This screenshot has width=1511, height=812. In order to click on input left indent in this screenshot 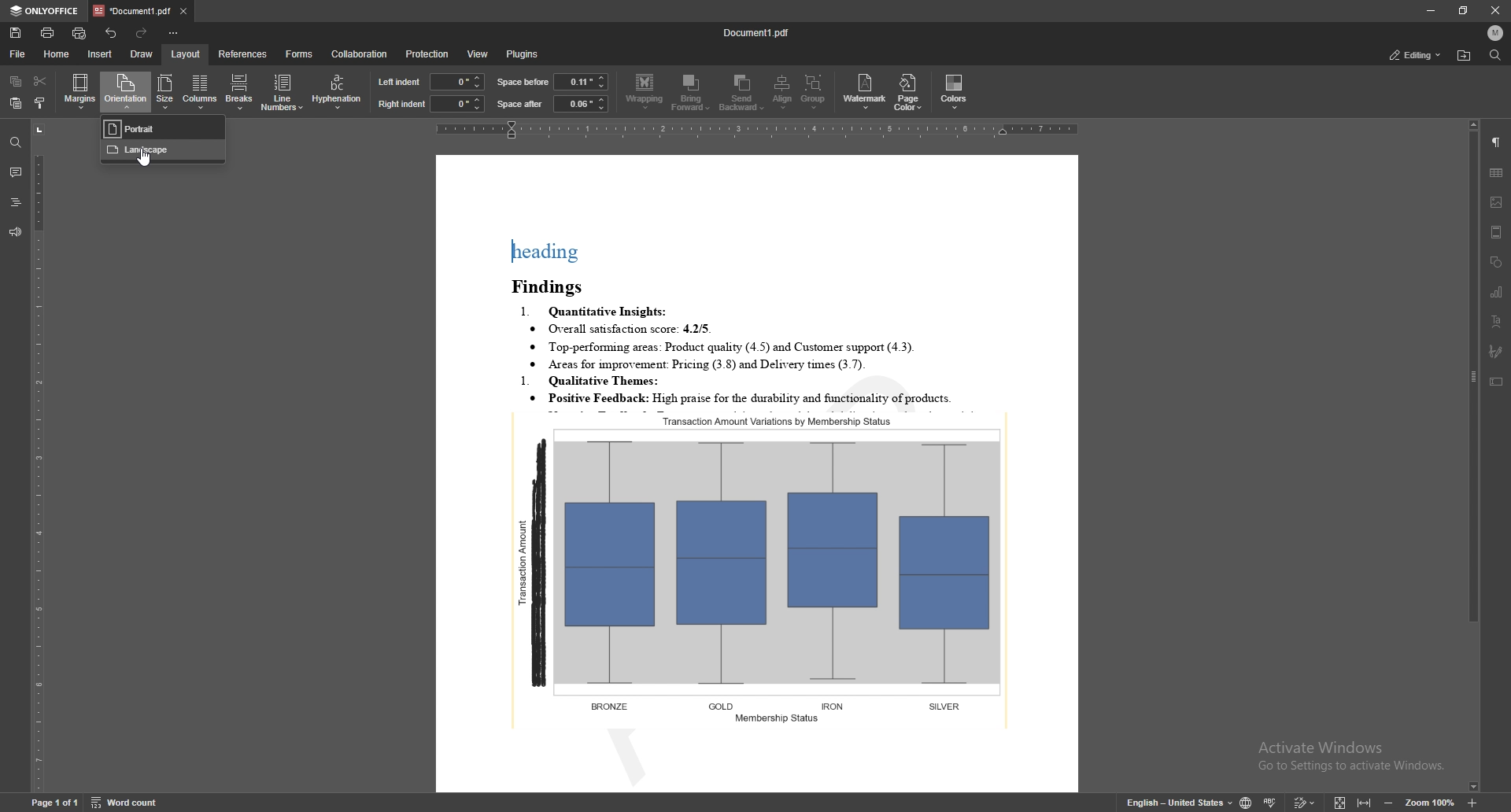, I will do `click(456, 80)`.